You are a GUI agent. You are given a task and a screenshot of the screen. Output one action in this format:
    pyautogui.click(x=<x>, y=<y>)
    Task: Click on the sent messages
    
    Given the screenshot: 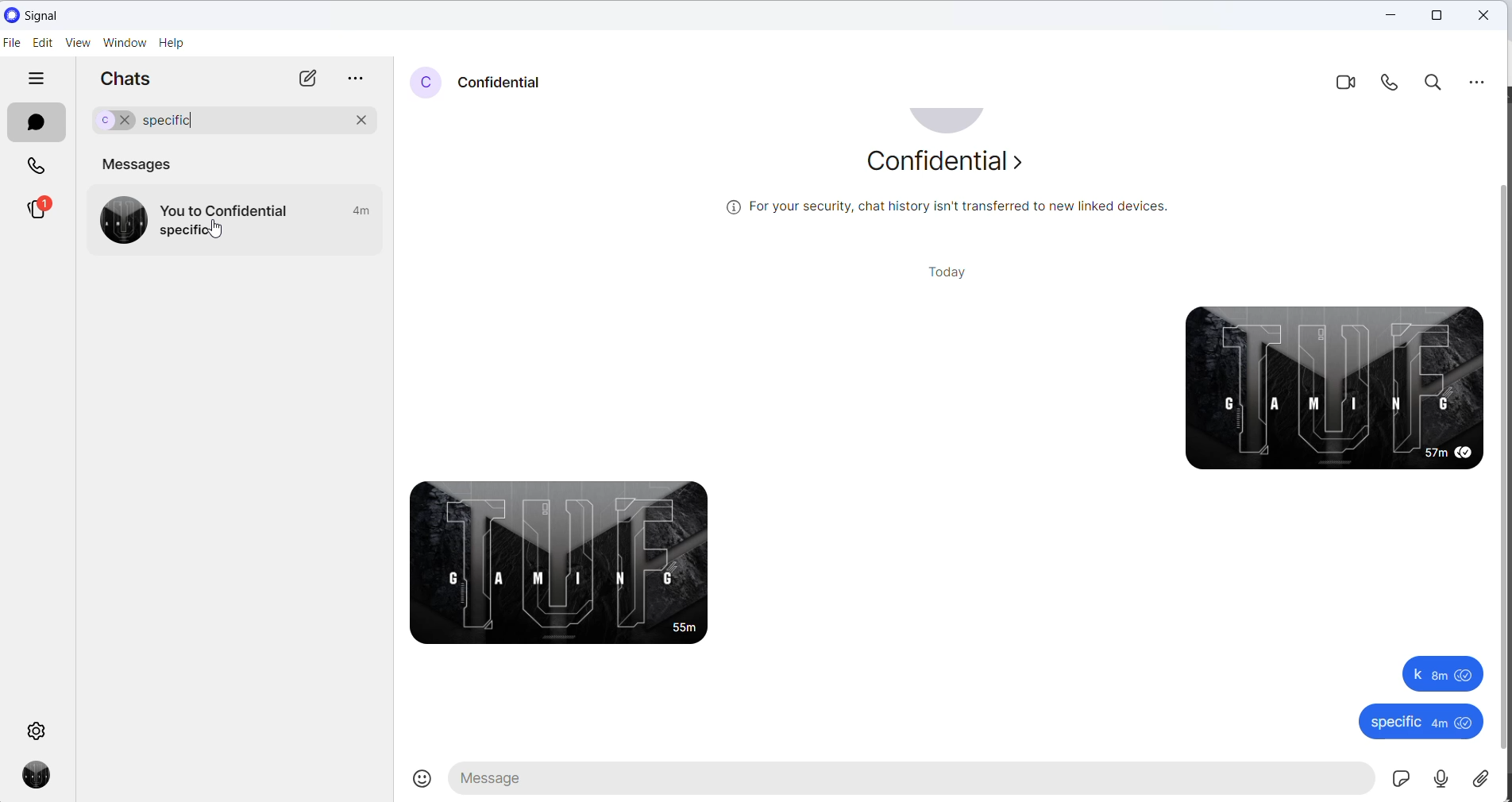 What is the action you would take?
    pyautogui.click(x=1322, y=387)
    